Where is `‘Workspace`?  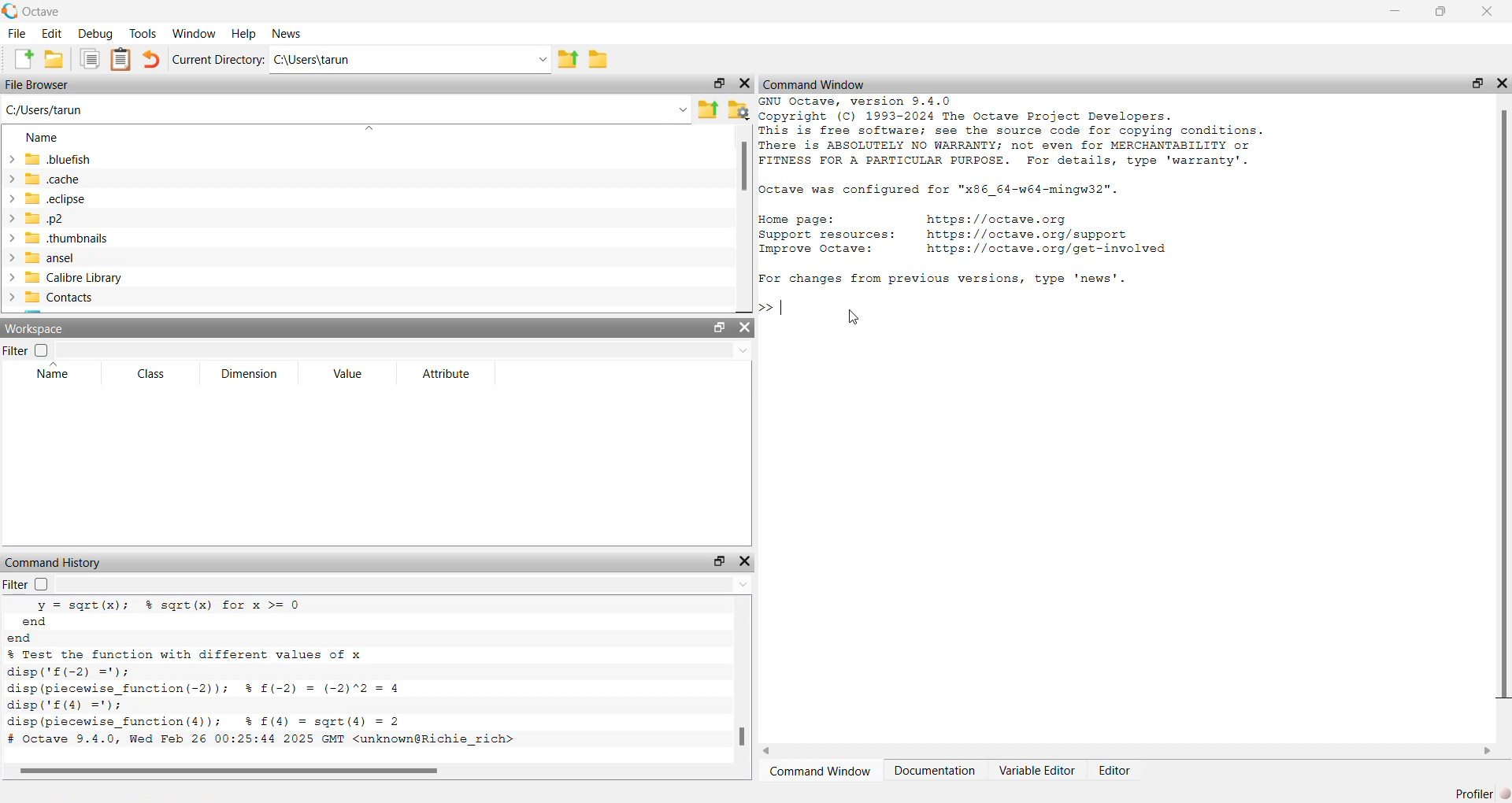
‘Workspace is located at coordinates (39, 330).